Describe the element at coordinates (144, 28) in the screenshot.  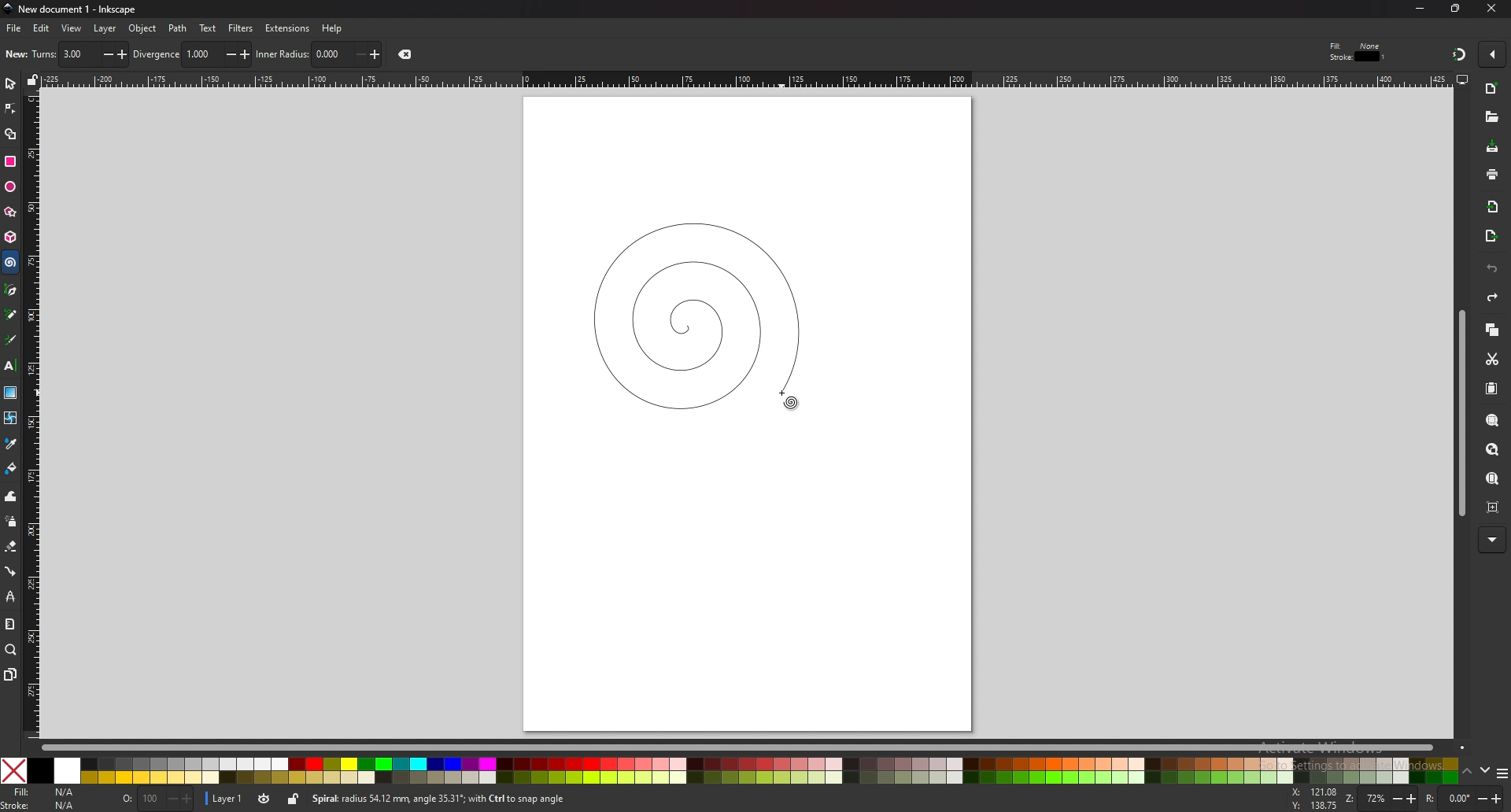
I see `object` at that location.